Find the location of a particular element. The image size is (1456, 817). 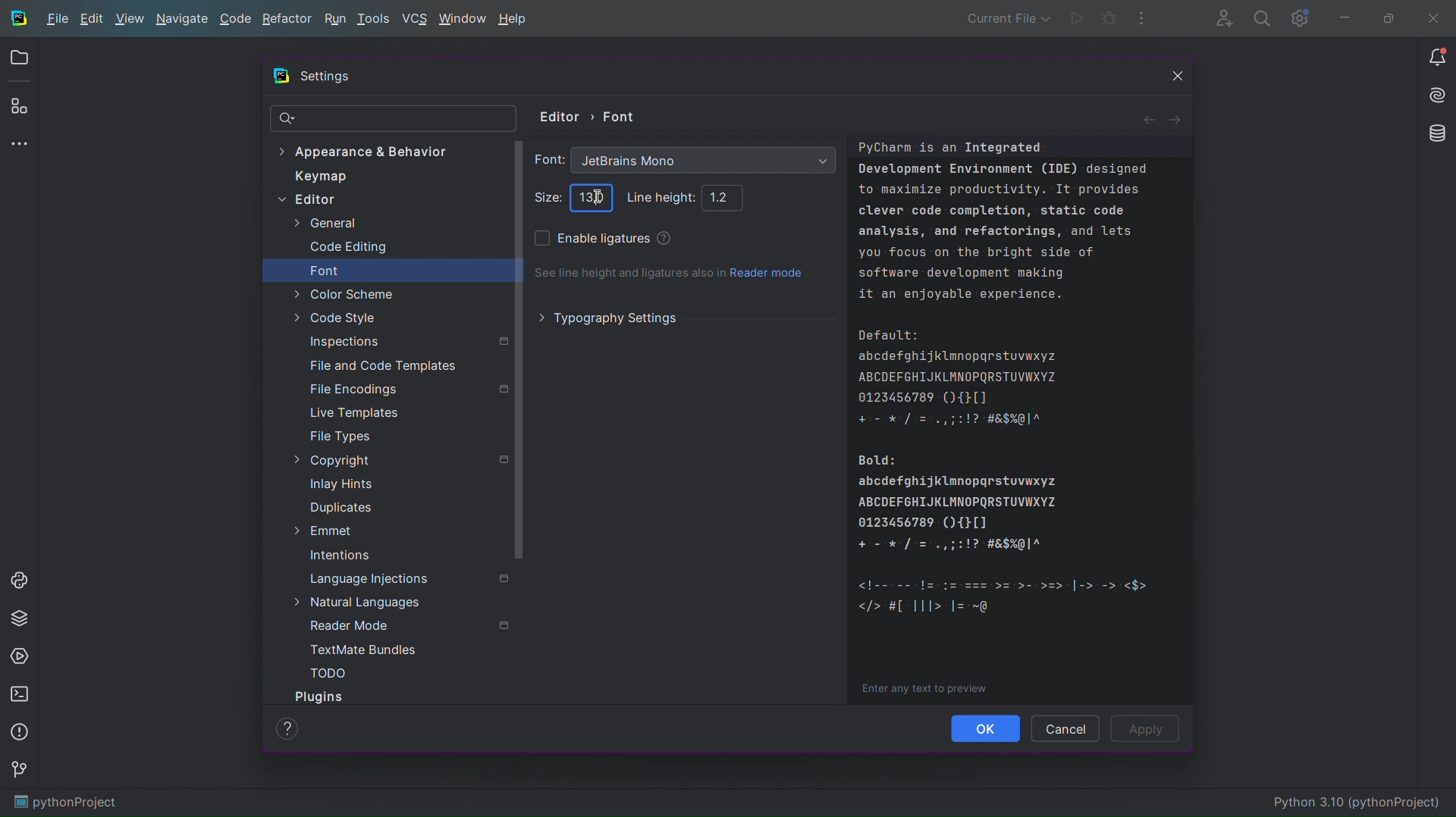

Close is located at coordinates (1168, 79).